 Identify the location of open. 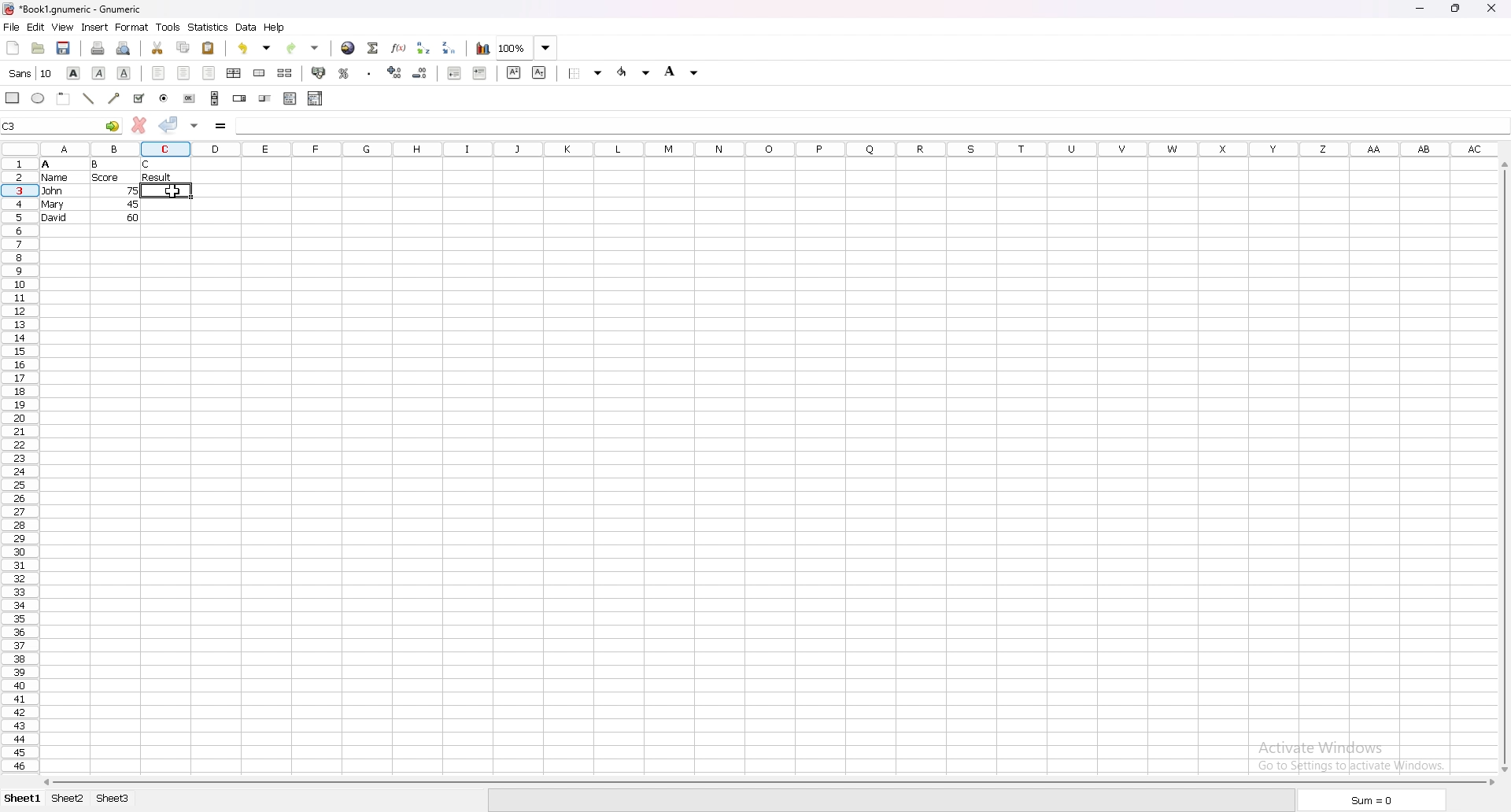
(39, 48).